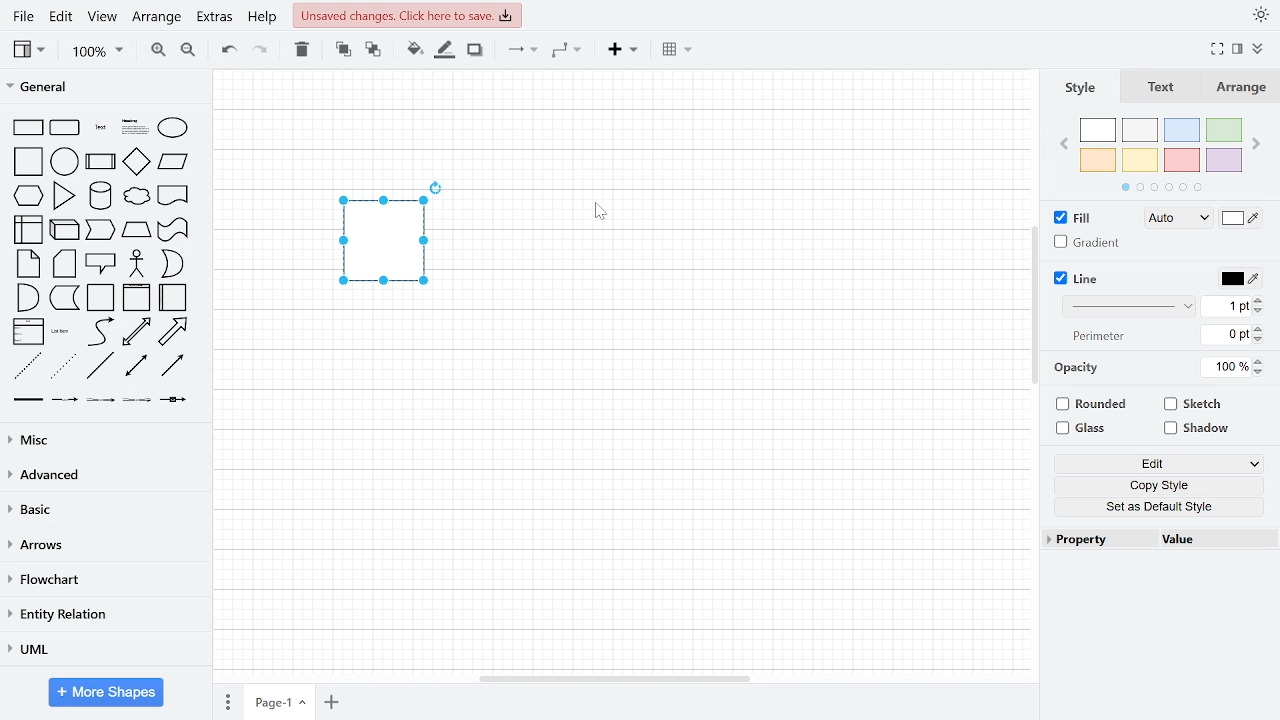 Image resolution: width=1280 pixels, height=720 pixels. What do you see at coordinates (1259, 360) in the screenshot?
I see `increase opacity` at bounding box center [1259, 360].